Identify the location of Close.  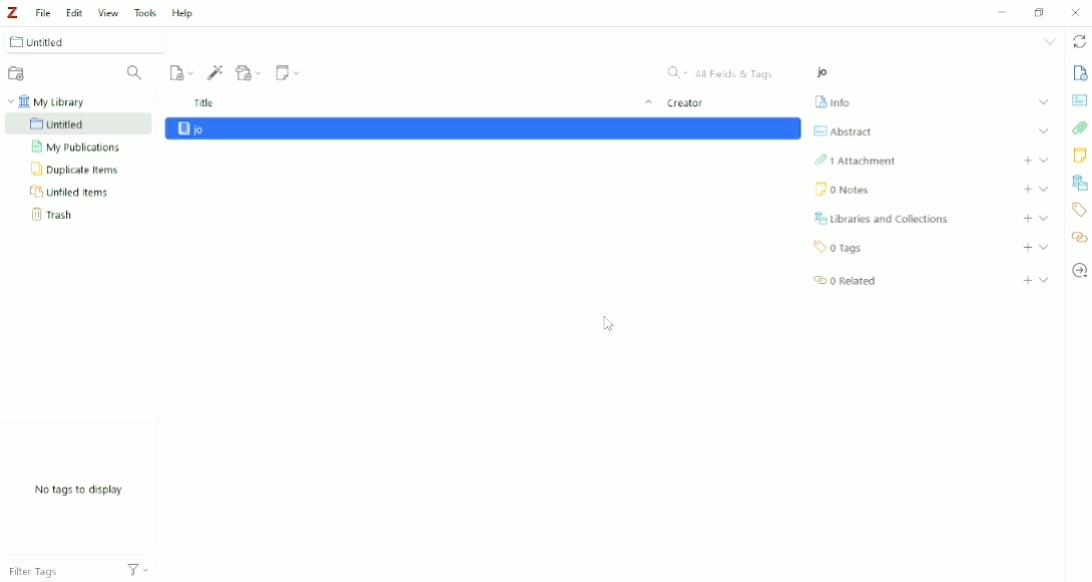
(1076, 12).